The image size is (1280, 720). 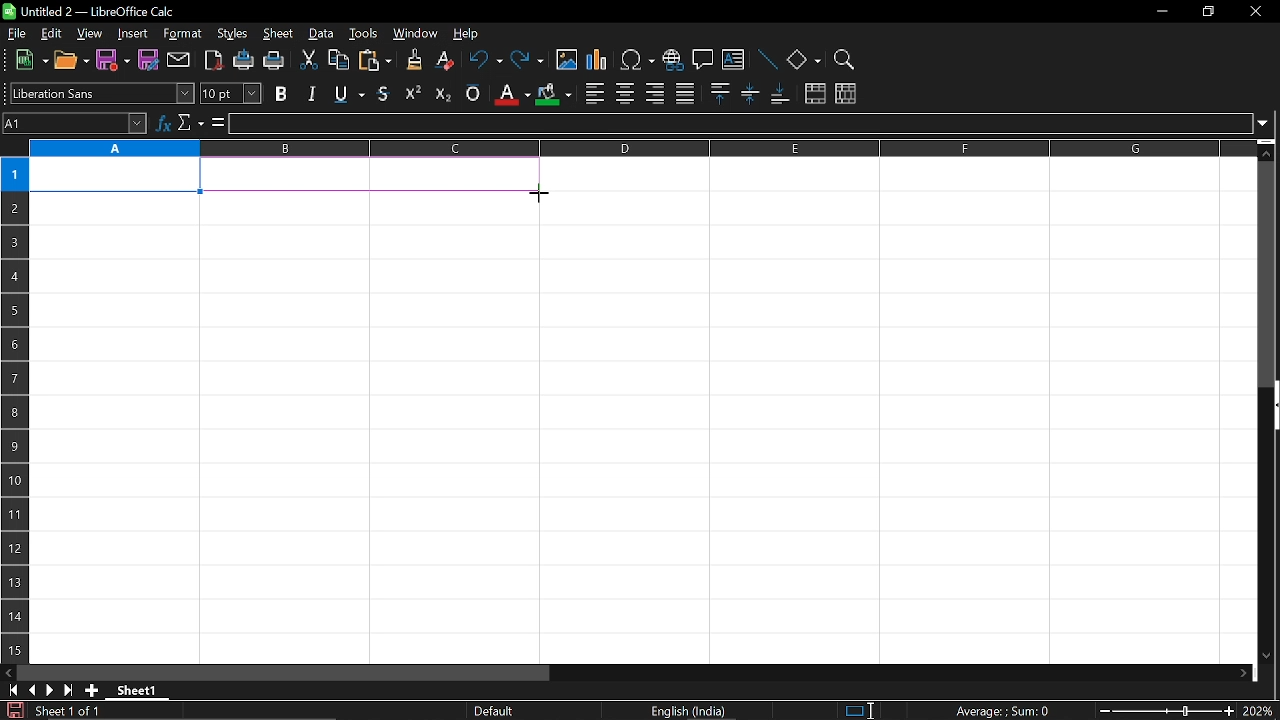 What do you see at coordinates (739, 124) in the screenshot?
I see `input line` at bounding box center [739, 124].